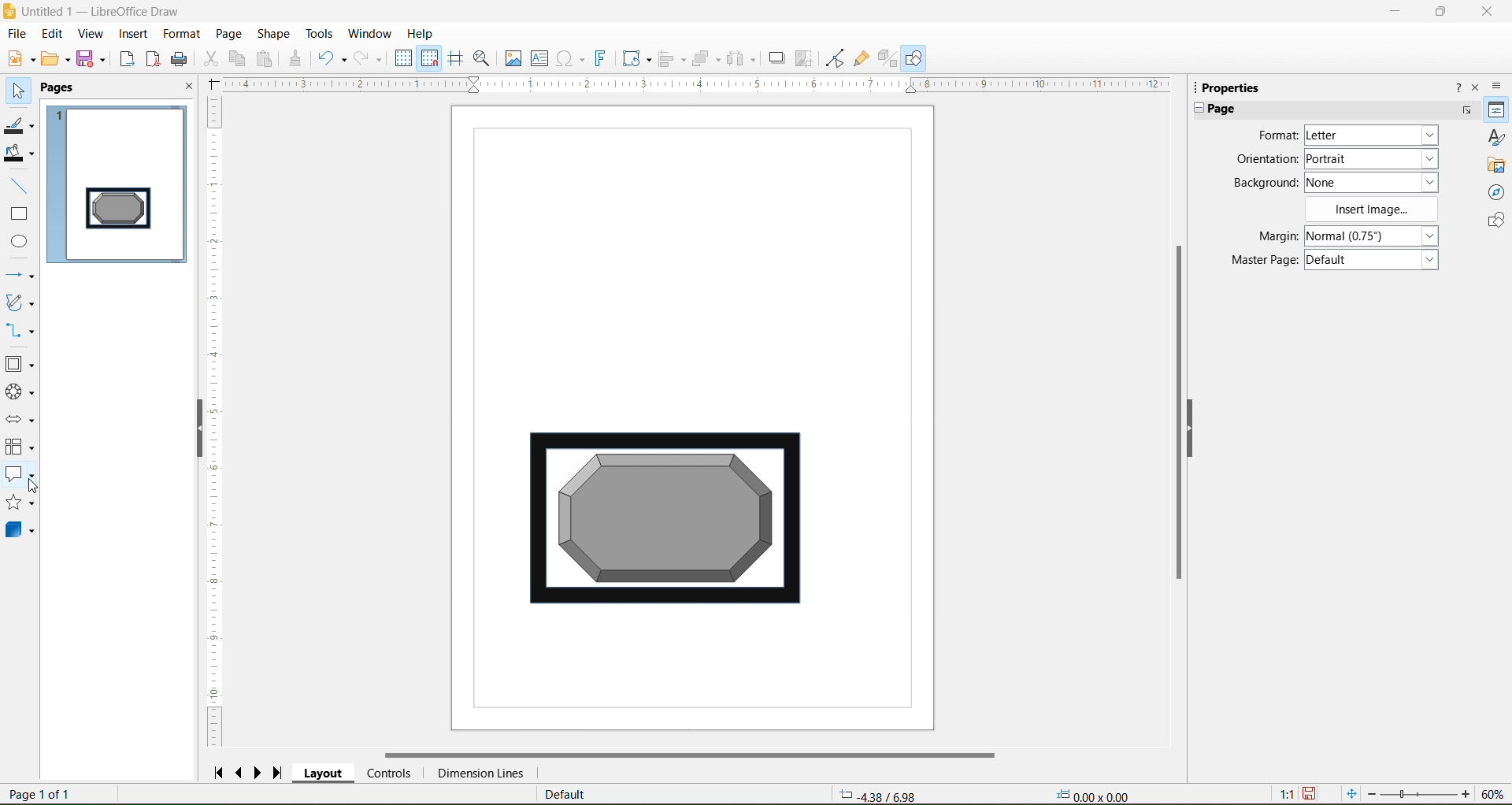 The image size is (1512, 805). What do you see at coordinates (1494, 222) in the screenshot?
I see `Shapes` at bounding box center [1494, 222].